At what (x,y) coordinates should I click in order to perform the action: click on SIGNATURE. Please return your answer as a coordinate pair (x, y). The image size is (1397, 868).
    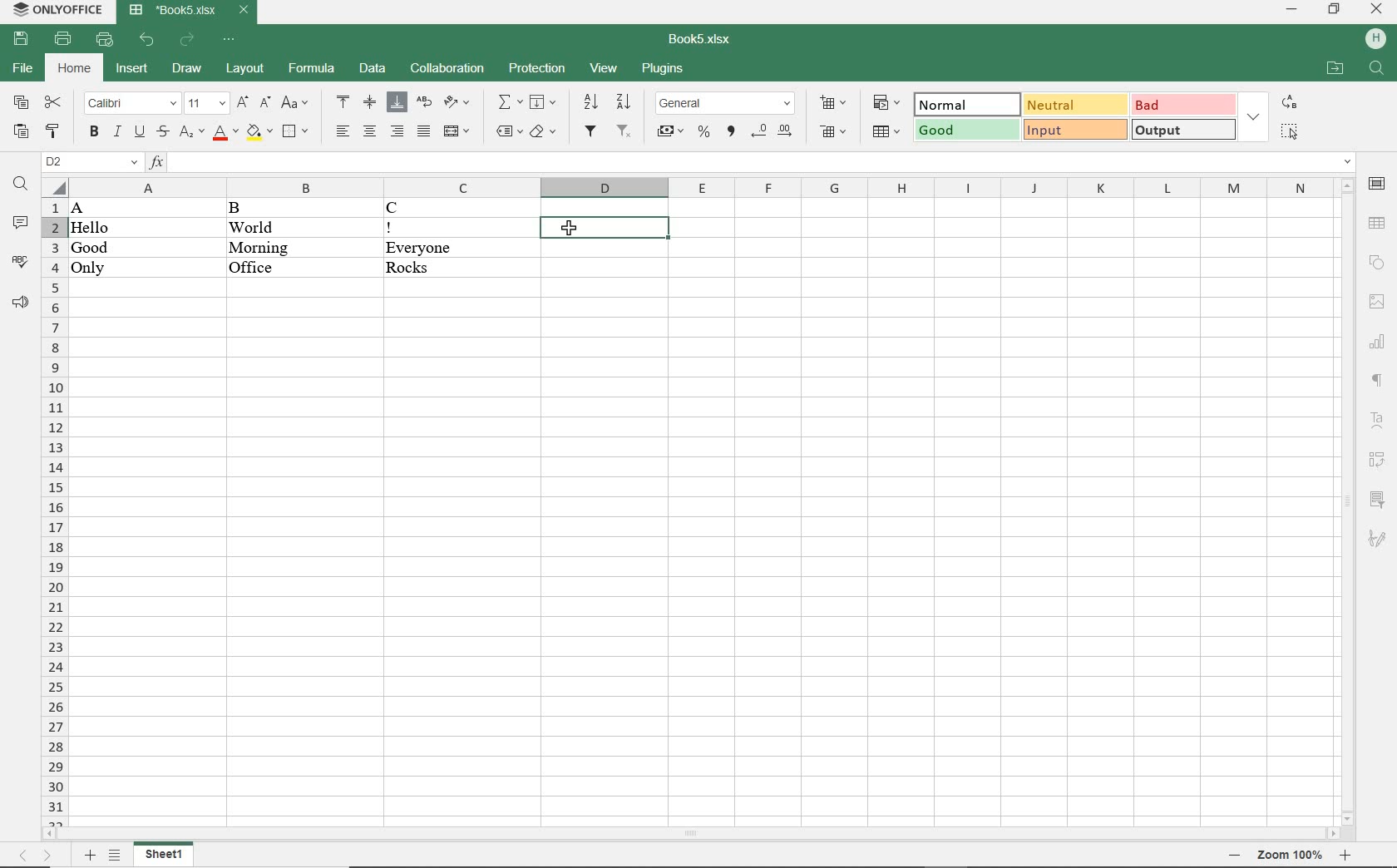
    Looking at the image, I should click on (1380, 540).